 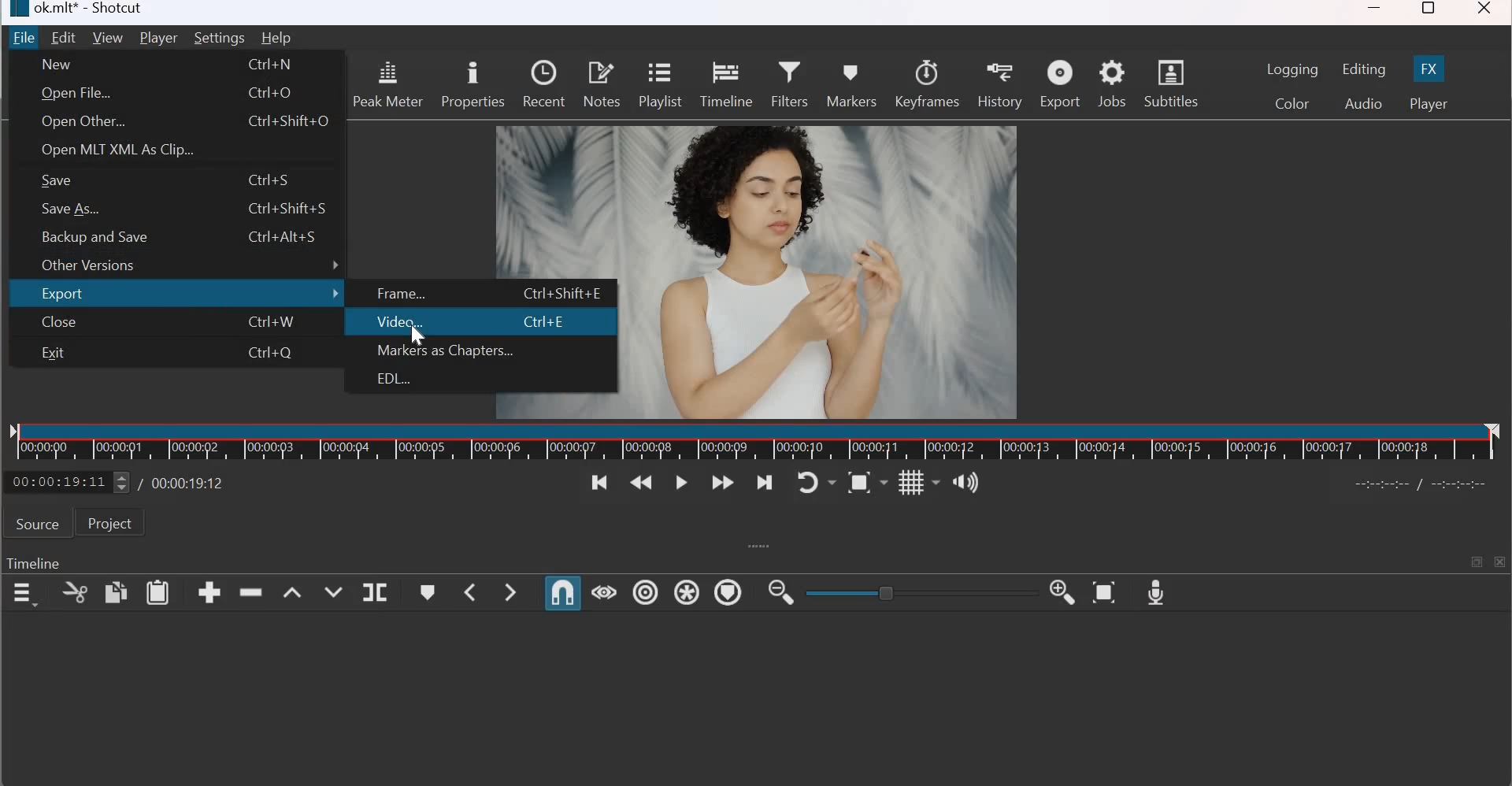 What do you see at coordinates (681, 484) in the screenshot?
I see `Toggle play or pause` at bounding box center [681, 484].